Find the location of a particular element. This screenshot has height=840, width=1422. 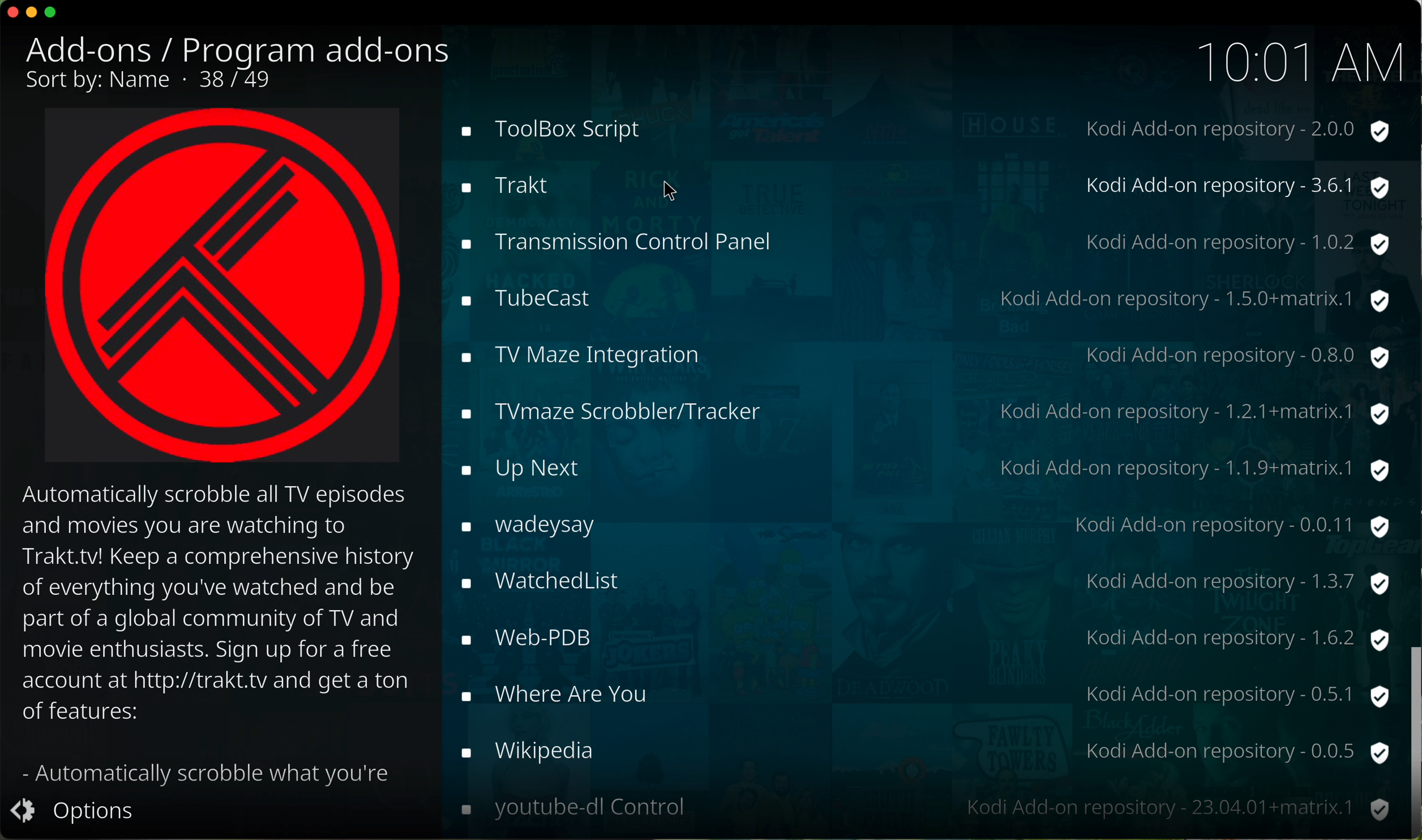

wikipedia is located at coordinates (922, 751).